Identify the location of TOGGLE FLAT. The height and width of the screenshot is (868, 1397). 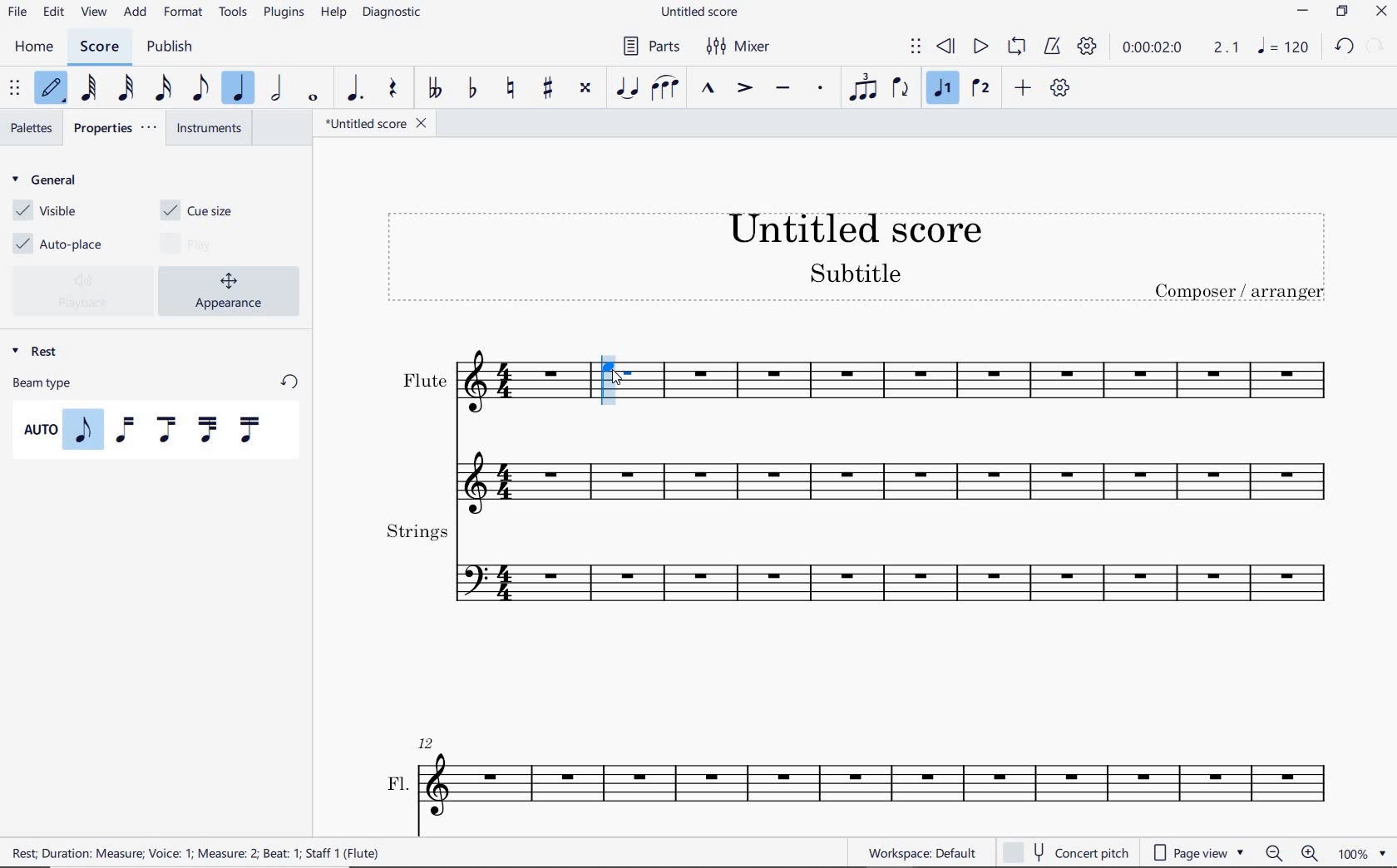
(471, 89).